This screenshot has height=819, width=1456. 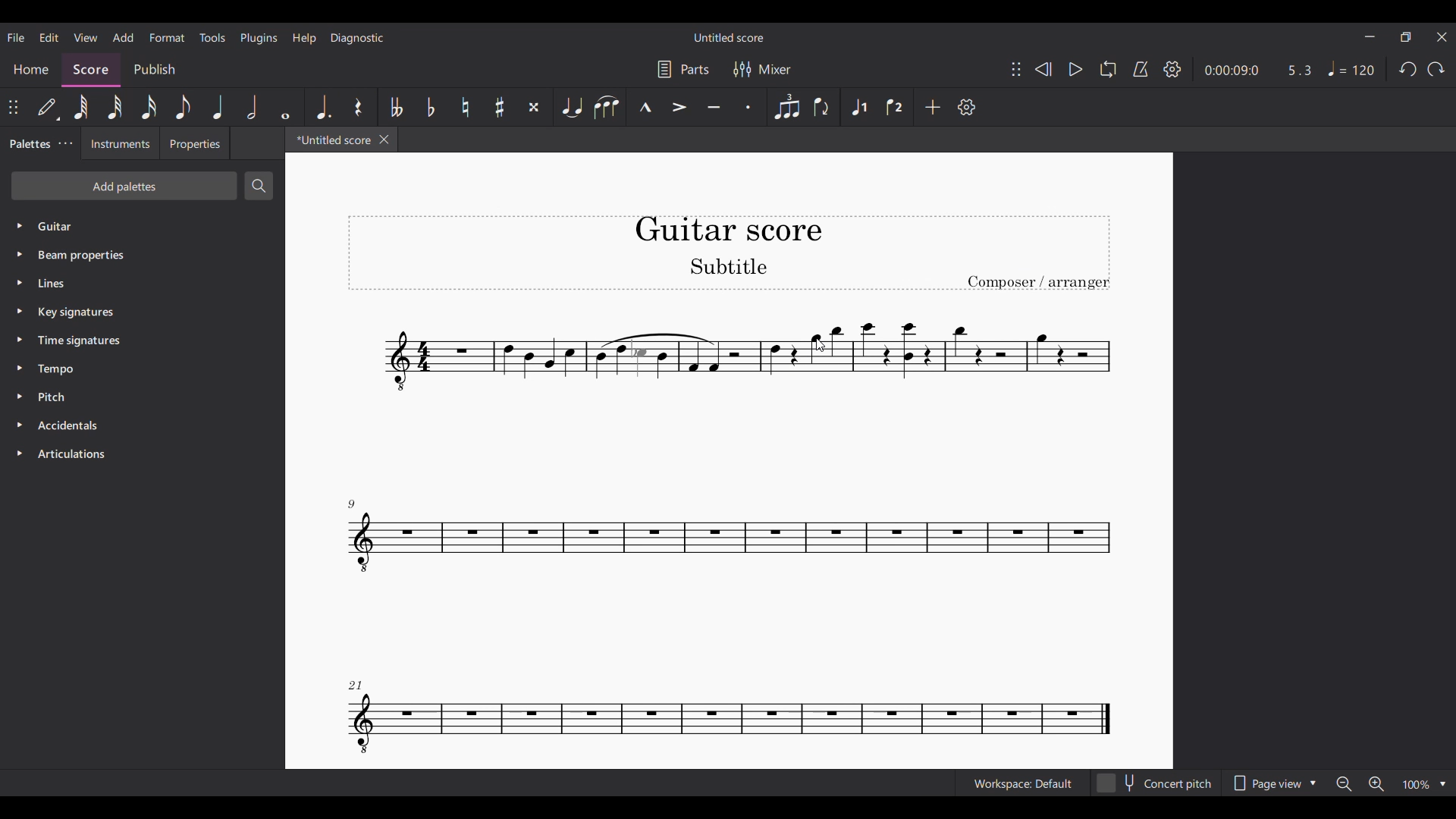 I want to click on Current ratio, so click(x=1300, y=71).